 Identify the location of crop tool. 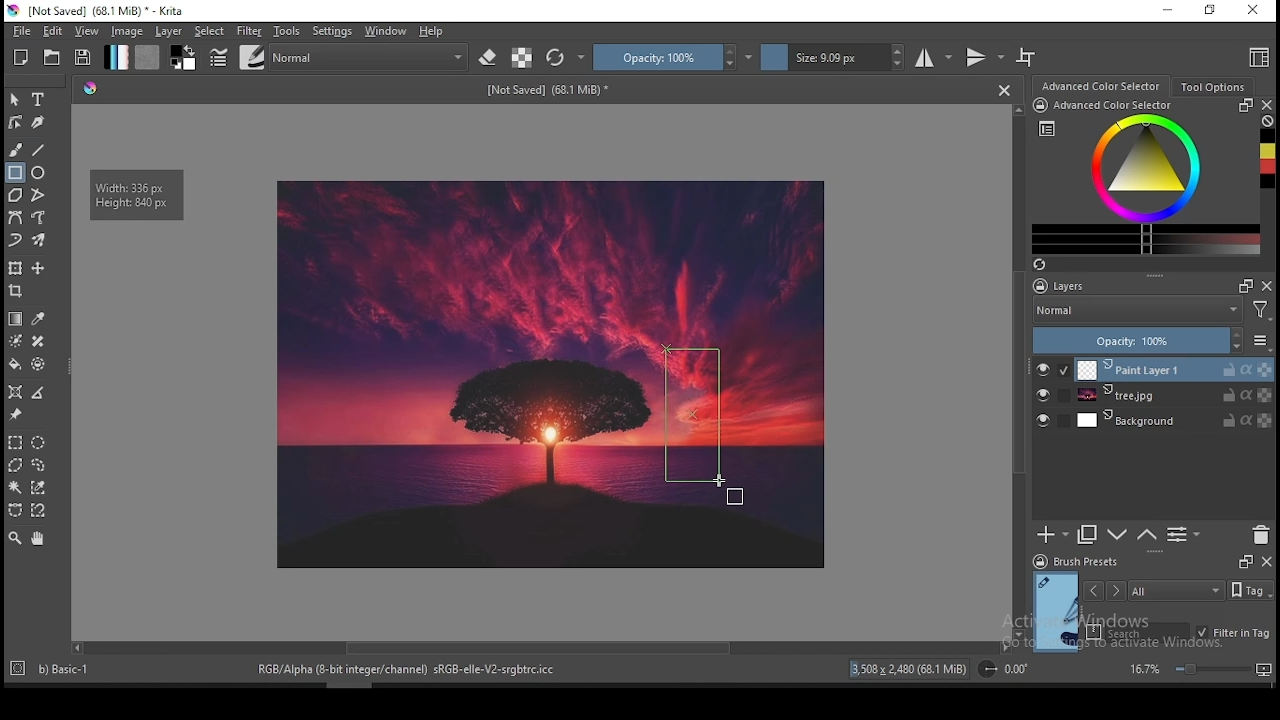
(18, 291).